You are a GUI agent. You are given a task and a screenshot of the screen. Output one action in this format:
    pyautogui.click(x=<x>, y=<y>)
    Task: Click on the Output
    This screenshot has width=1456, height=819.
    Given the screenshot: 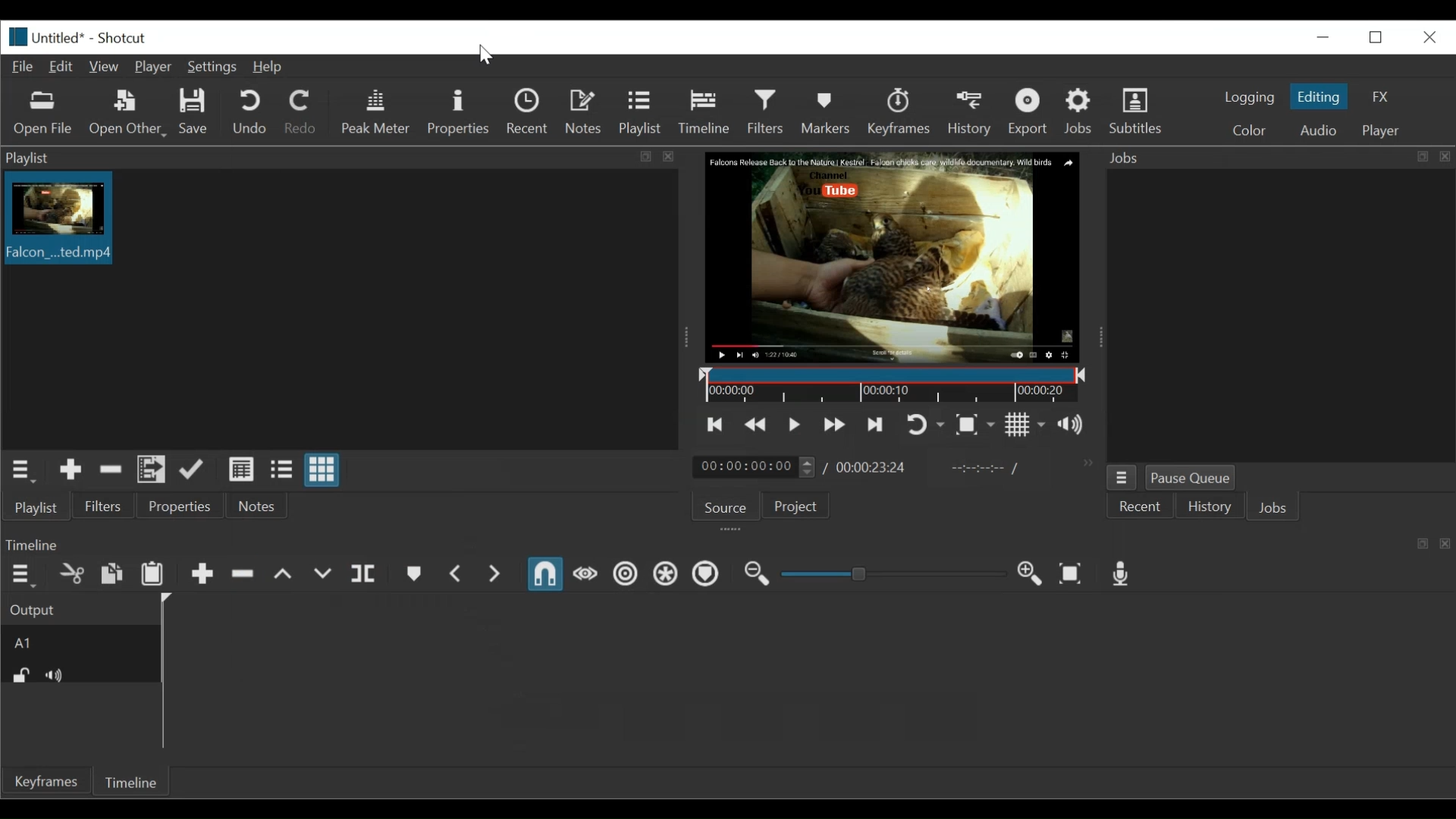 What is the action you would take?
    pyautogui.click(x=77, y=610)
    